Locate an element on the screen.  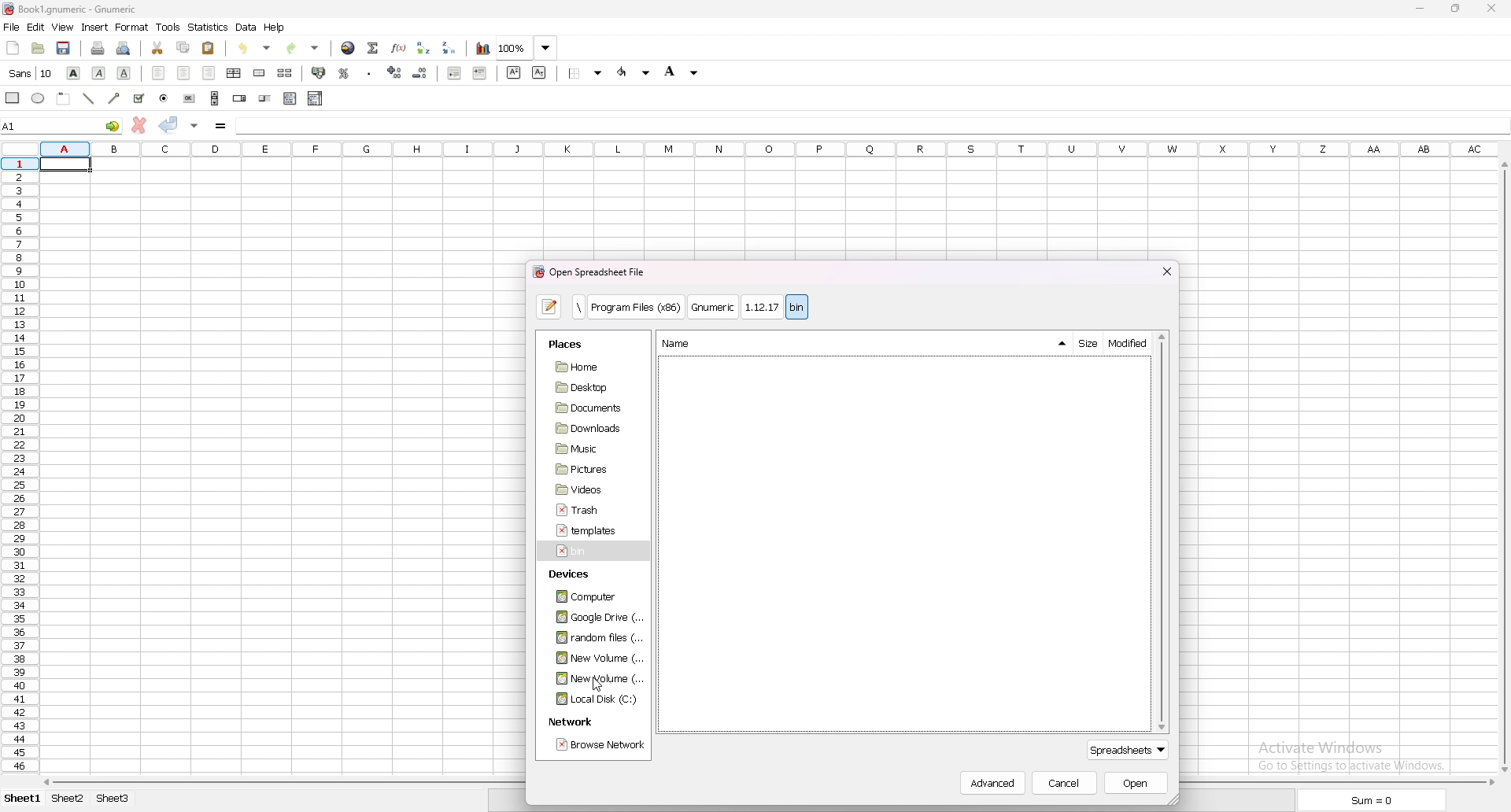
type file name is located at coordinates (550, 307).